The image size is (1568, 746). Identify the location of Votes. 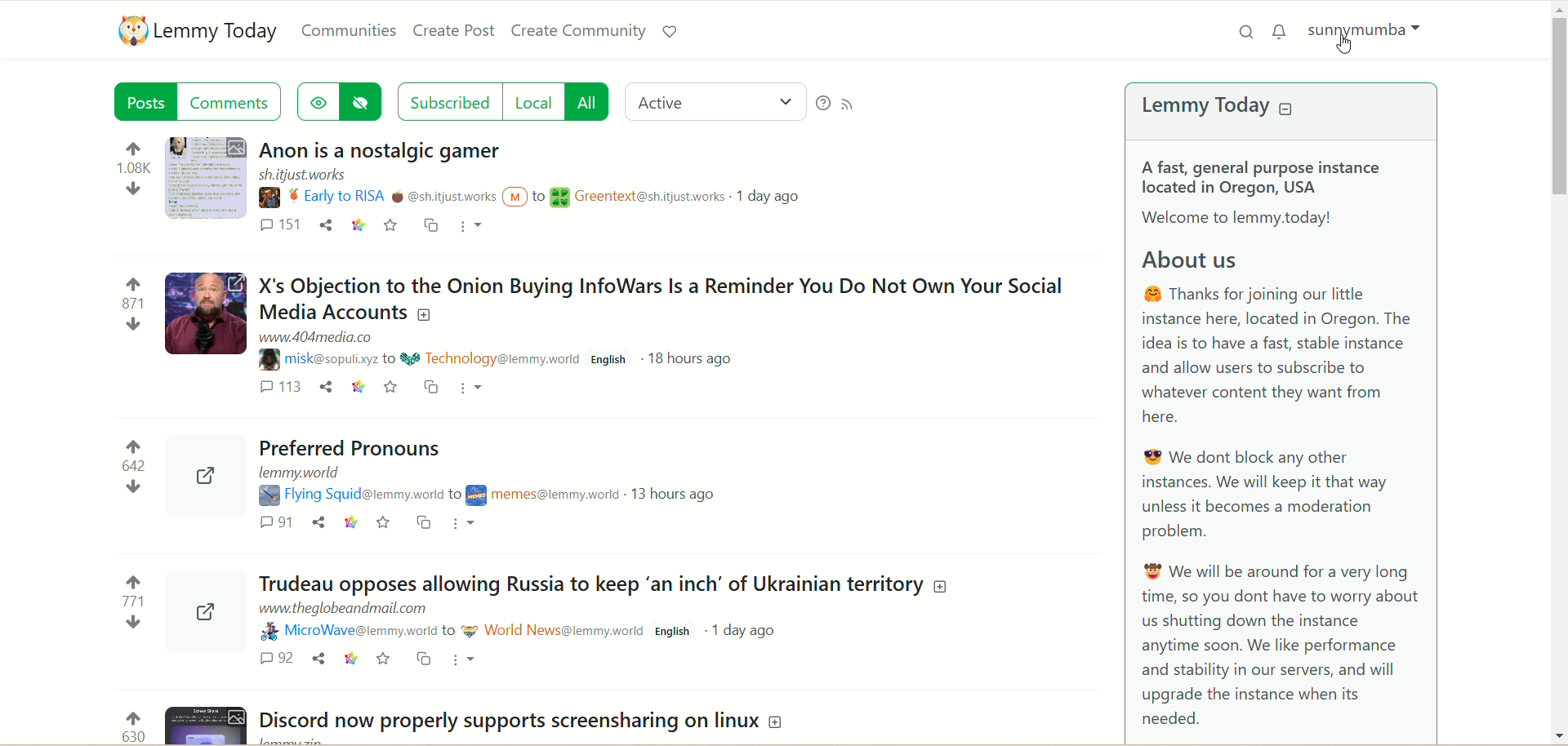
(131, 468).